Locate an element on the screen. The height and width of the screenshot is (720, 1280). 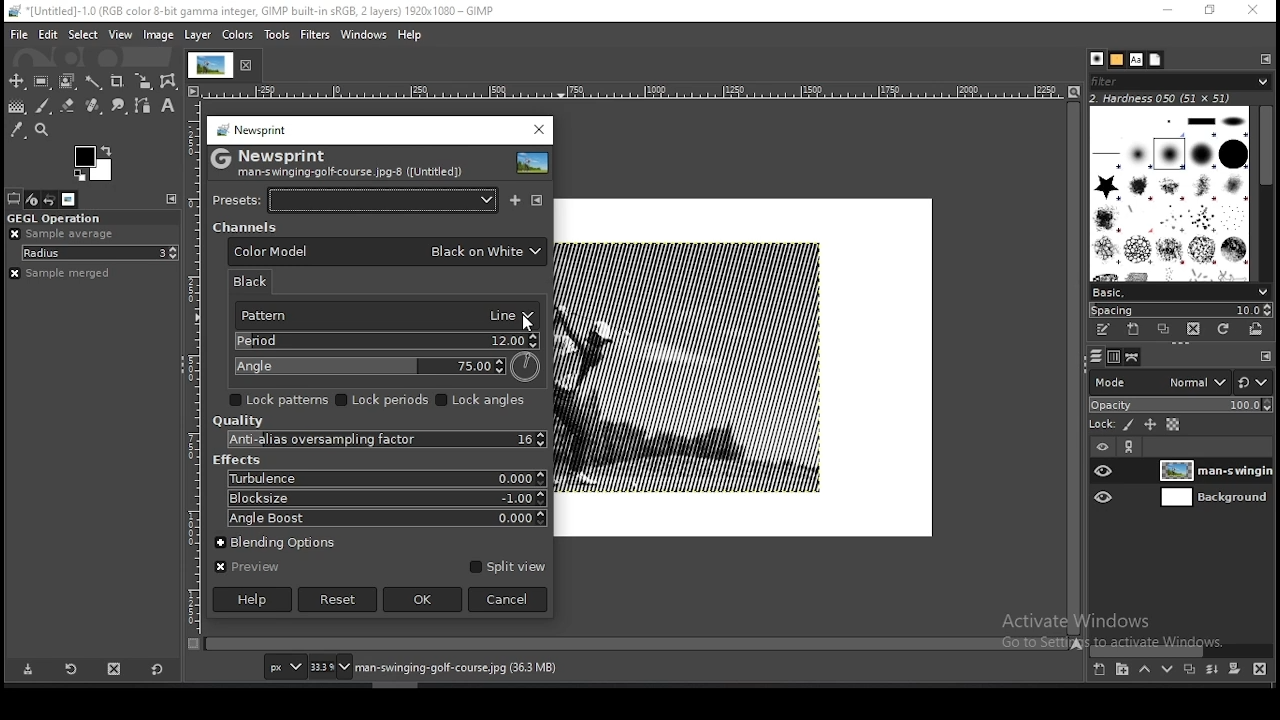
view is located at coordinates (120, 35).